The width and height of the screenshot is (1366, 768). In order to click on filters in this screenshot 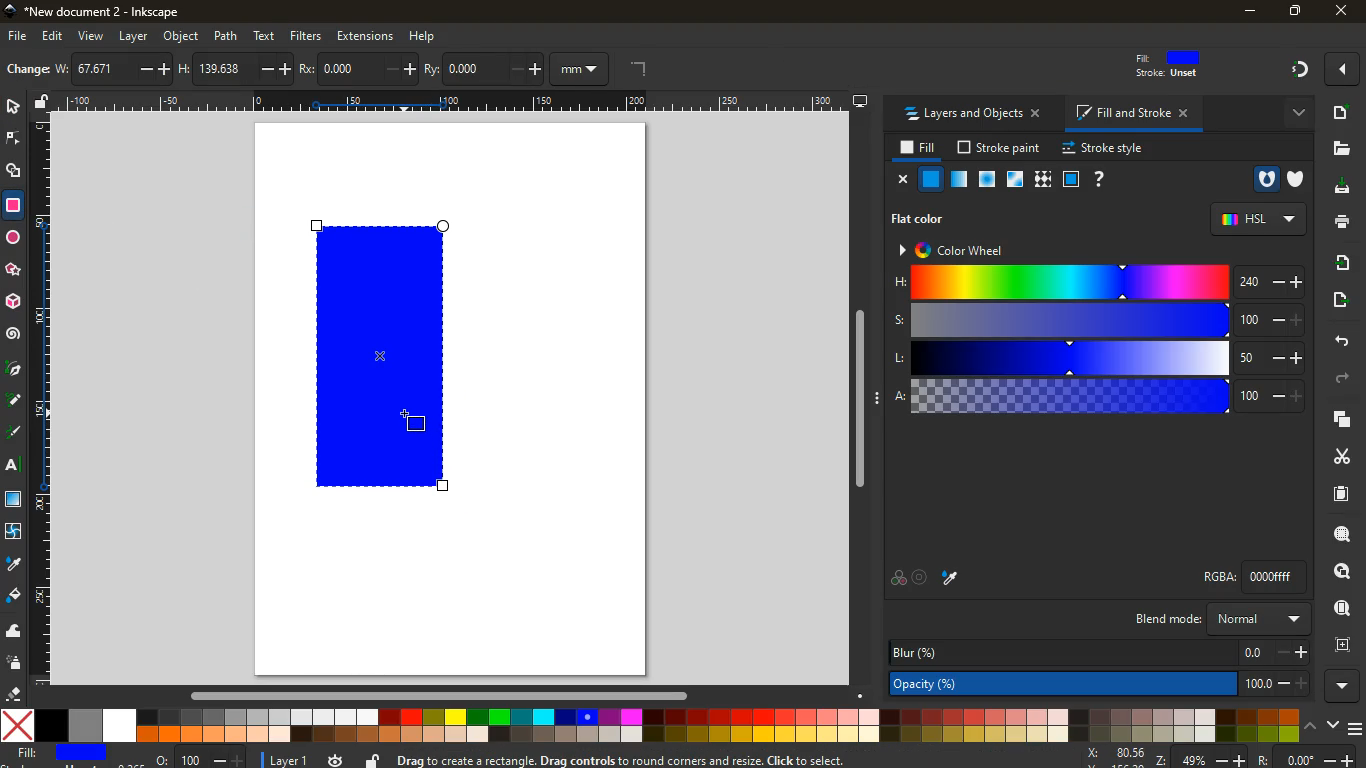, I will do `click(306, 37)`.